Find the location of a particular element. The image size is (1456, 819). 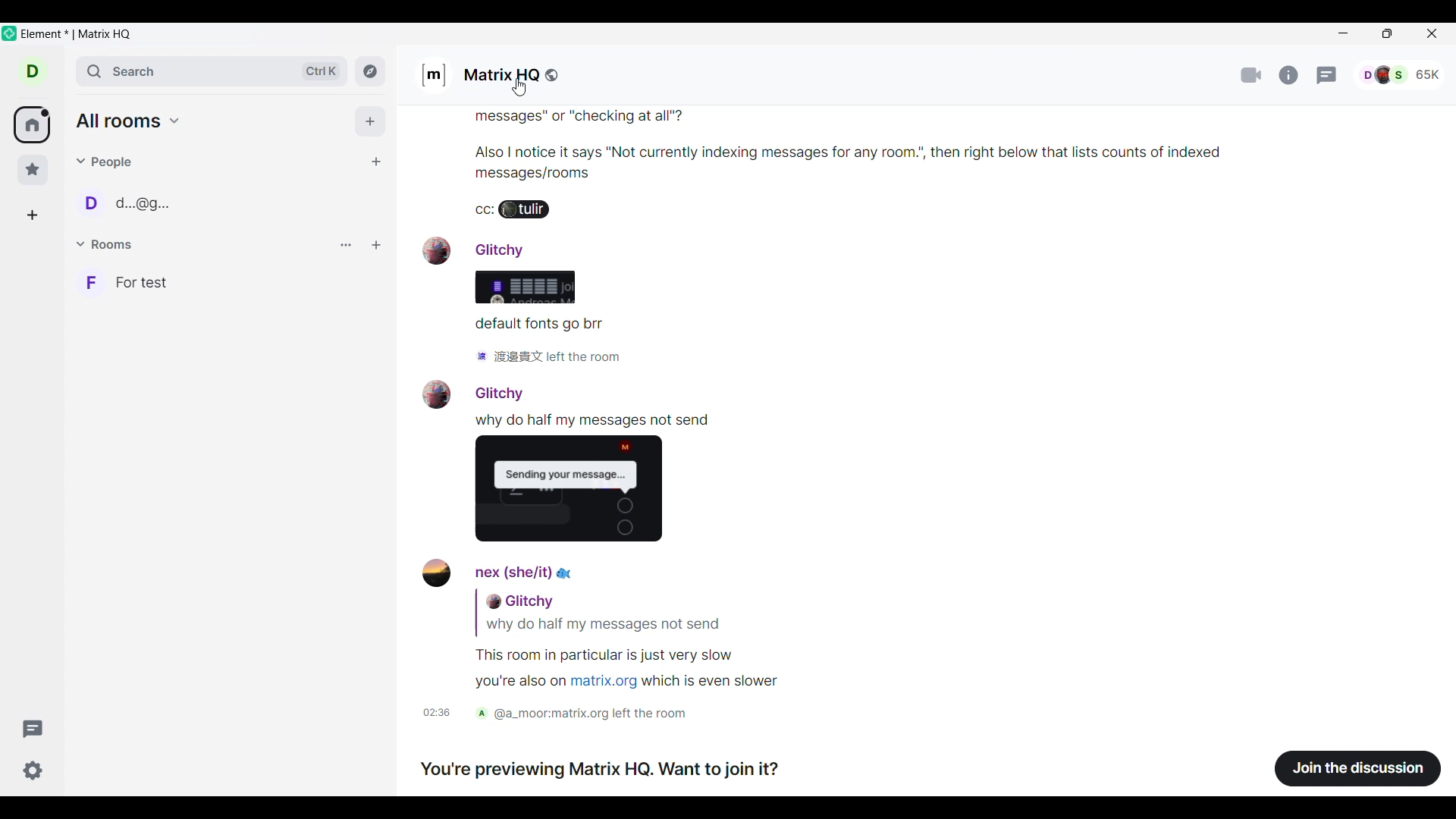

selection cursor is located at coordinates (522, 87).